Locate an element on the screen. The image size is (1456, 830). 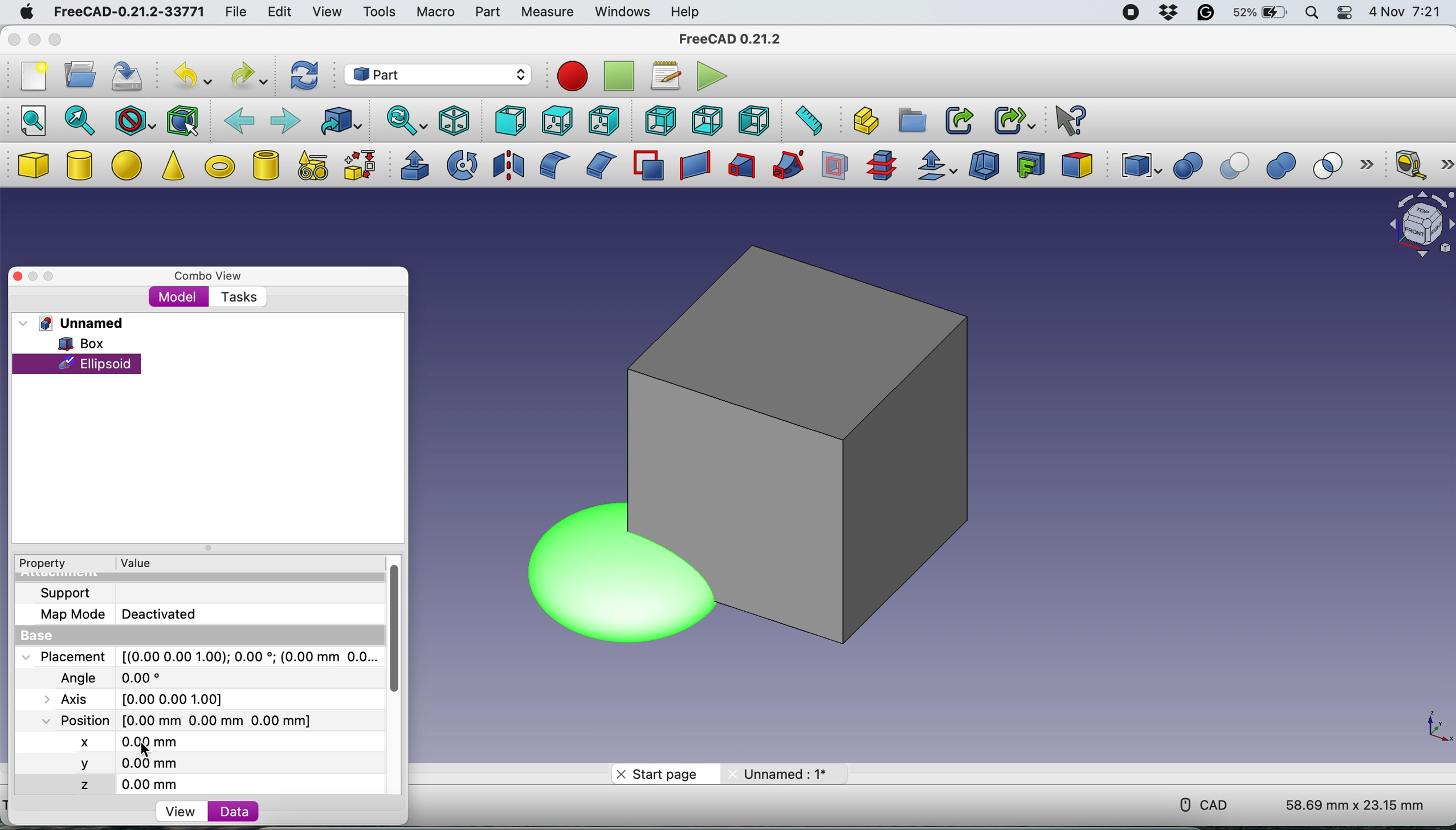
screen recorder is located at coordinates (1130, 14).